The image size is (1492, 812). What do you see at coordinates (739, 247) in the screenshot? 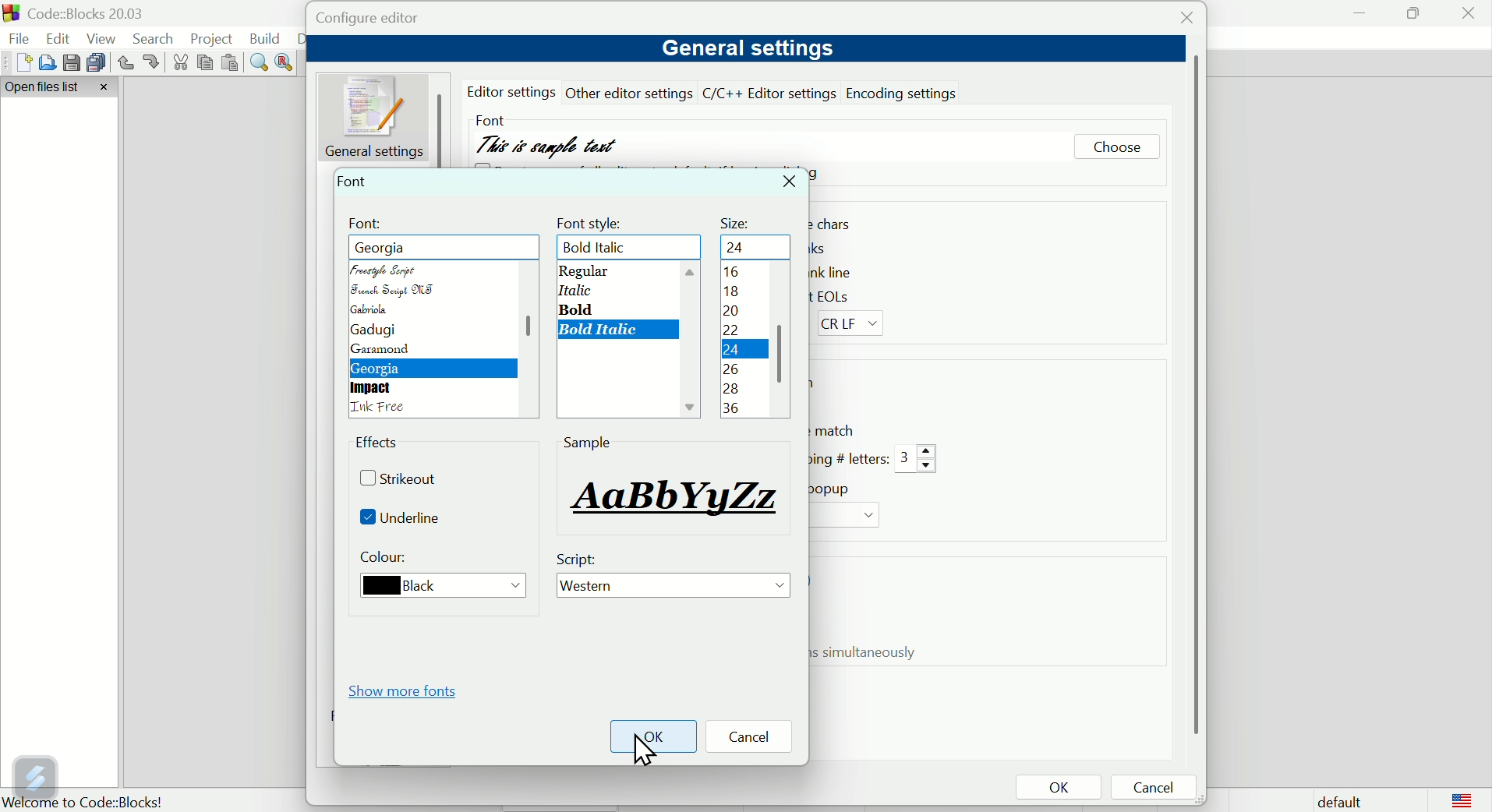
I see `24` at bounding box center [739, 247].